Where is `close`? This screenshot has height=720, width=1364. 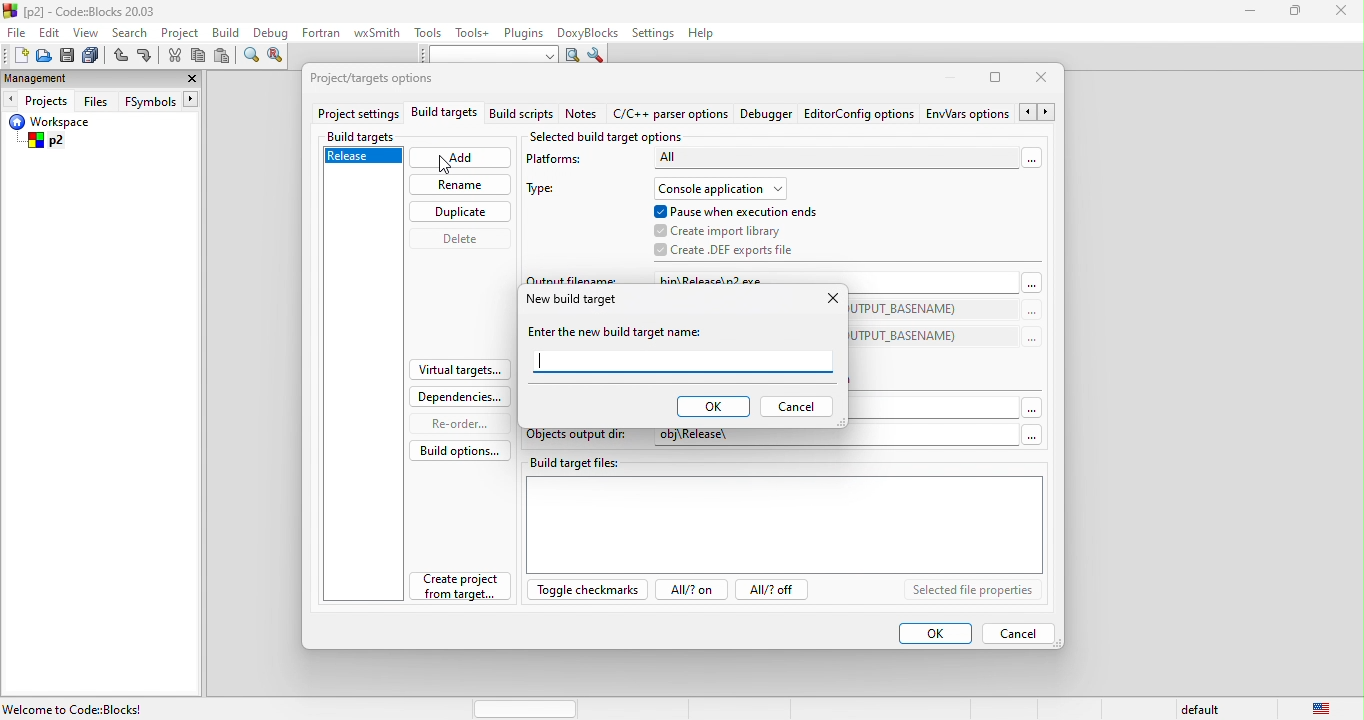 close is located at coordinates (1345, 14).